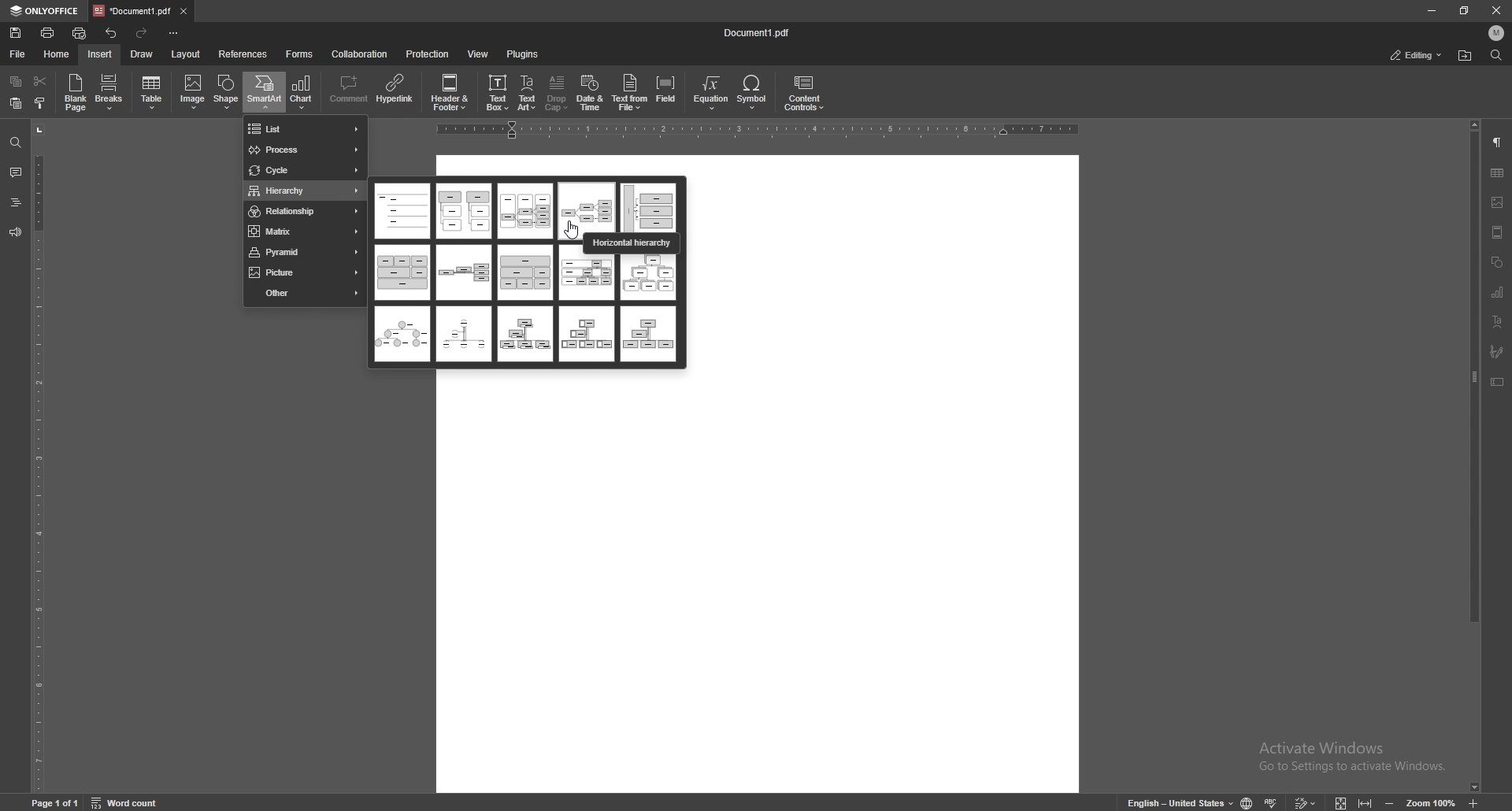 Image resolution: width=1512 pixels, height=811 pixels. I want to click on matrix, so click(303, 231).